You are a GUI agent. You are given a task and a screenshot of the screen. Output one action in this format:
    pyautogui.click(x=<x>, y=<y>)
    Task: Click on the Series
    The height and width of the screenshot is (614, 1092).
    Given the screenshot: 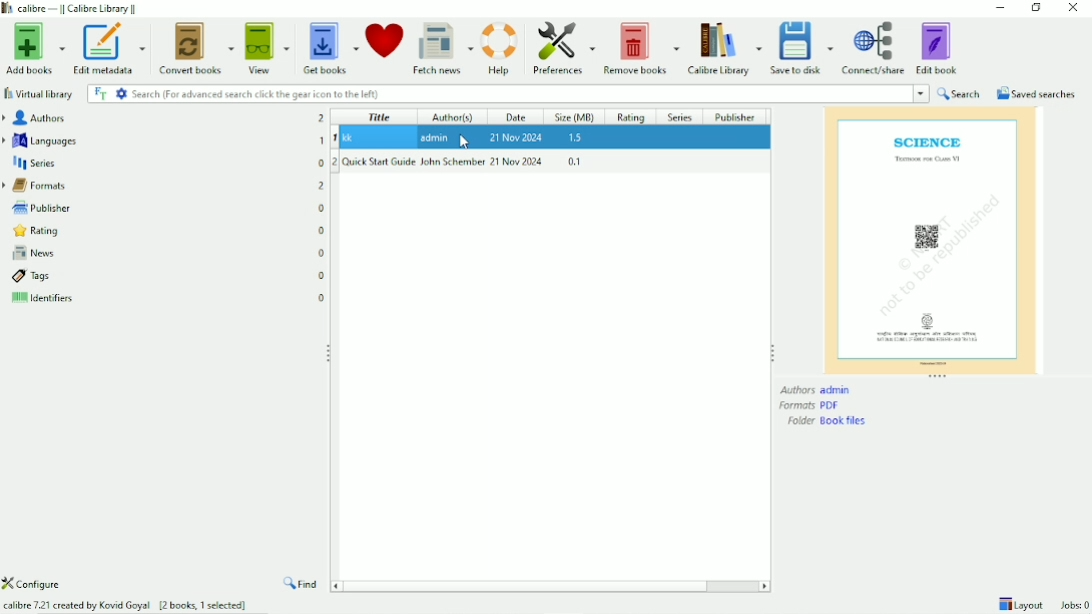 What is the action you would take?
    pyautogui.click(x=679, y=117)
    